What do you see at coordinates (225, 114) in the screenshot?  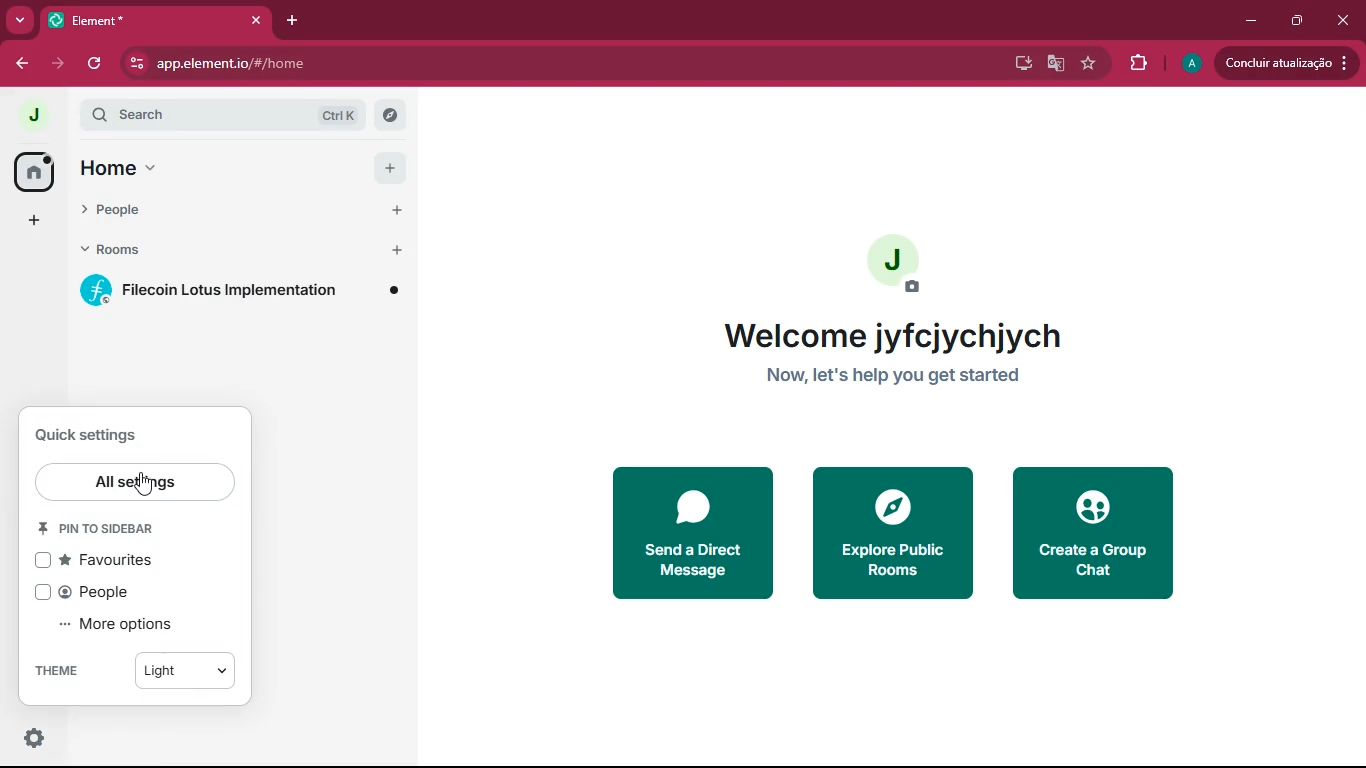 I see `search` at bounding box center [225, 114].